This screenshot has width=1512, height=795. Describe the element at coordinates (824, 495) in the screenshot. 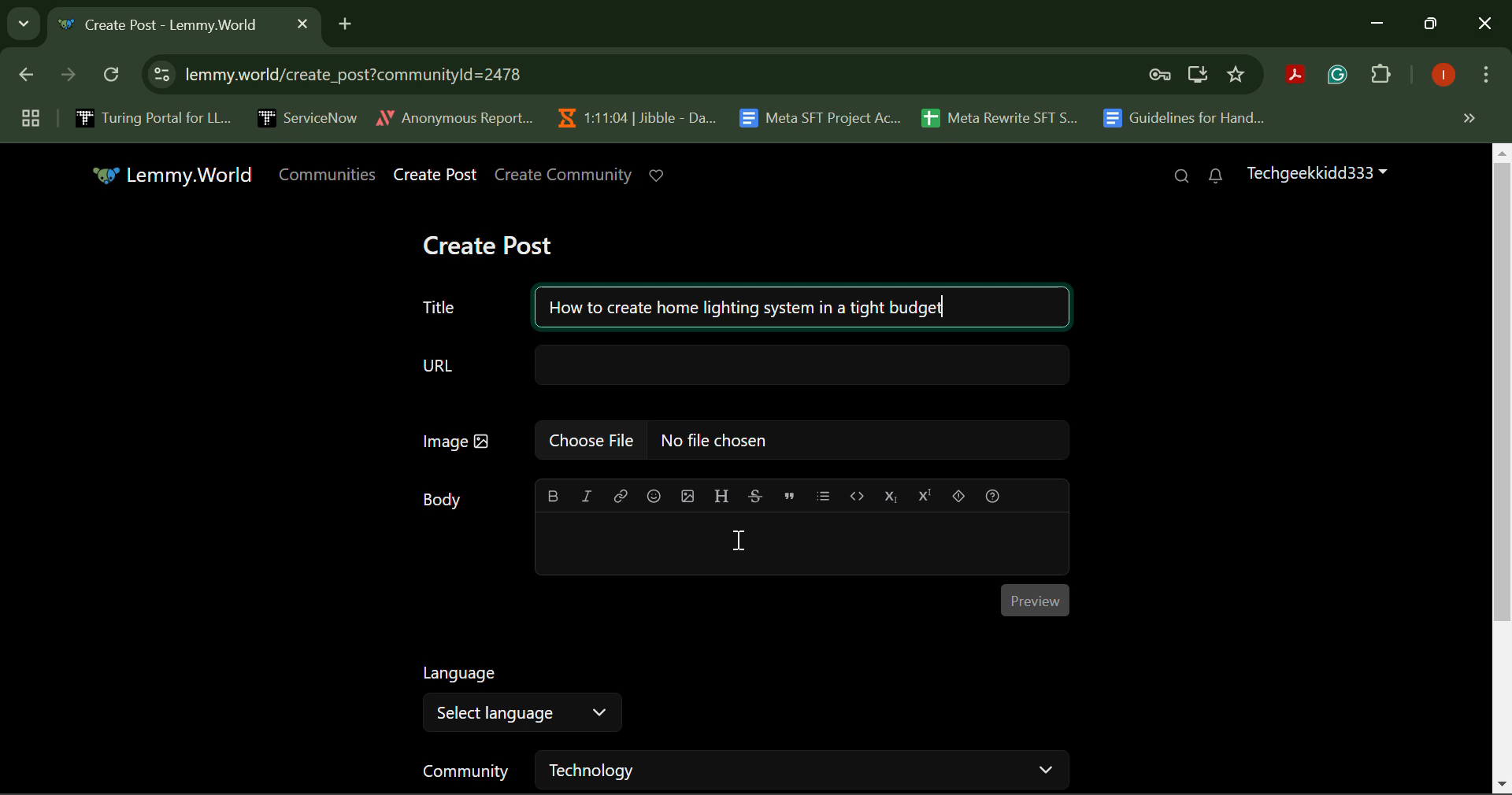

I see `list` at that location.